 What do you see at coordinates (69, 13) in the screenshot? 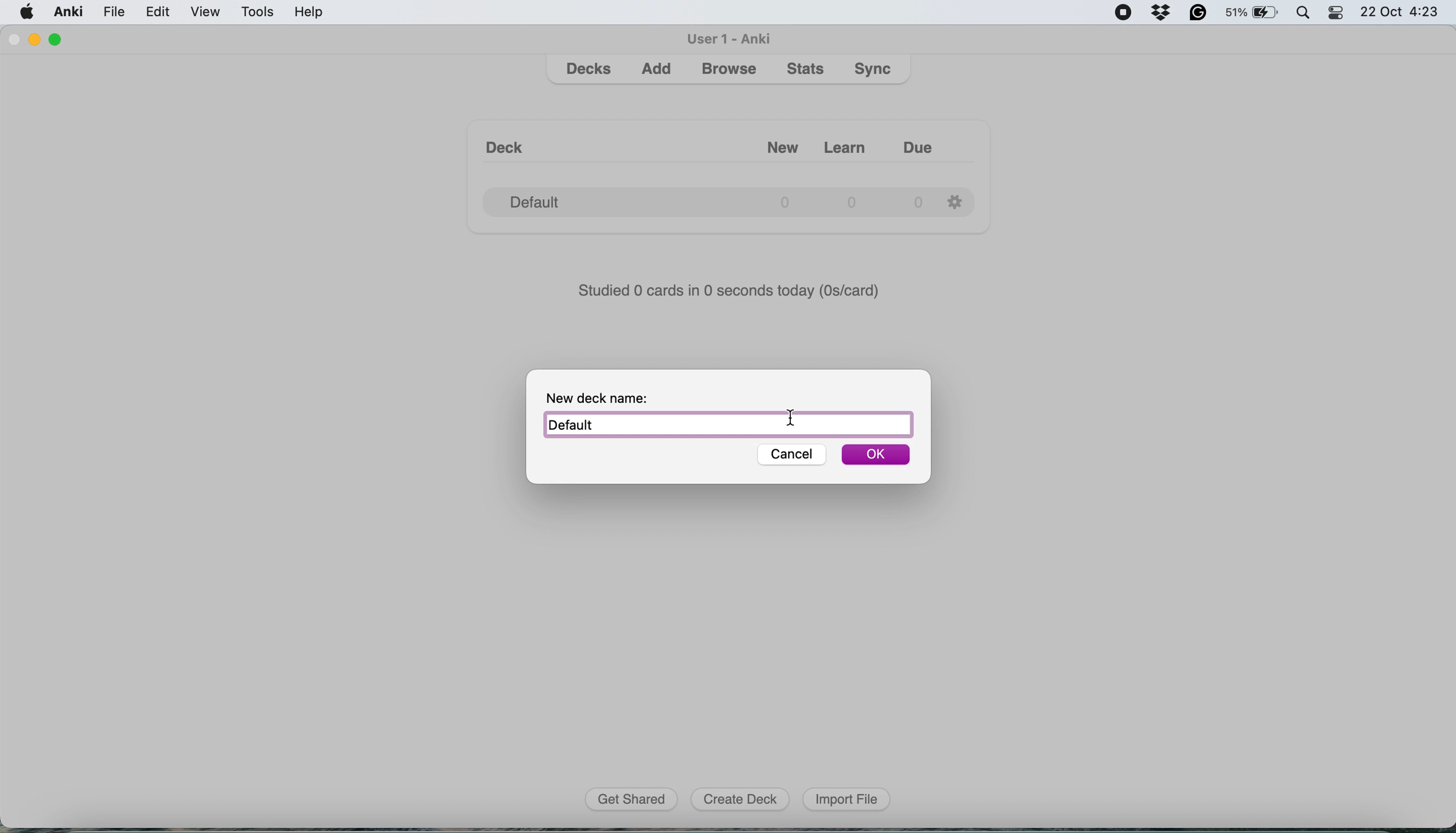
I see `anki` at bounding box center [69, 13].